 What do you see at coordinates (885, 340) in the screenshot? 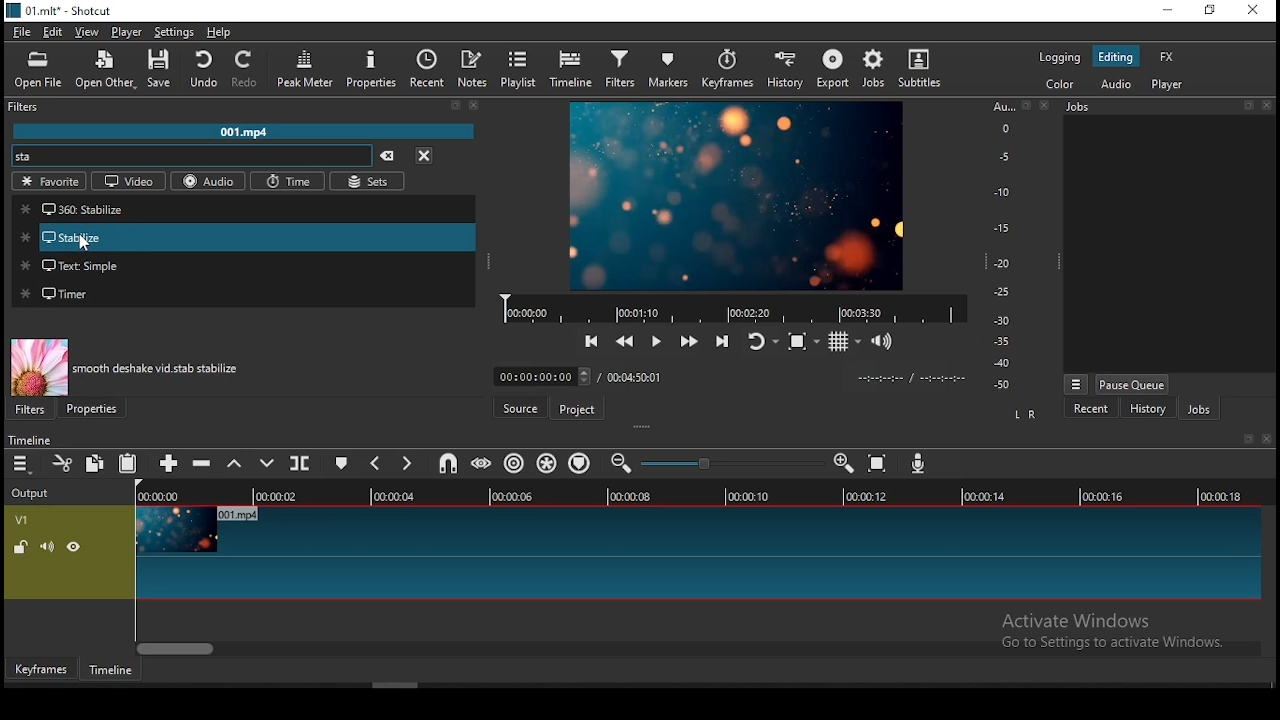
I see `show volume control` at bounding box center [885, 340].